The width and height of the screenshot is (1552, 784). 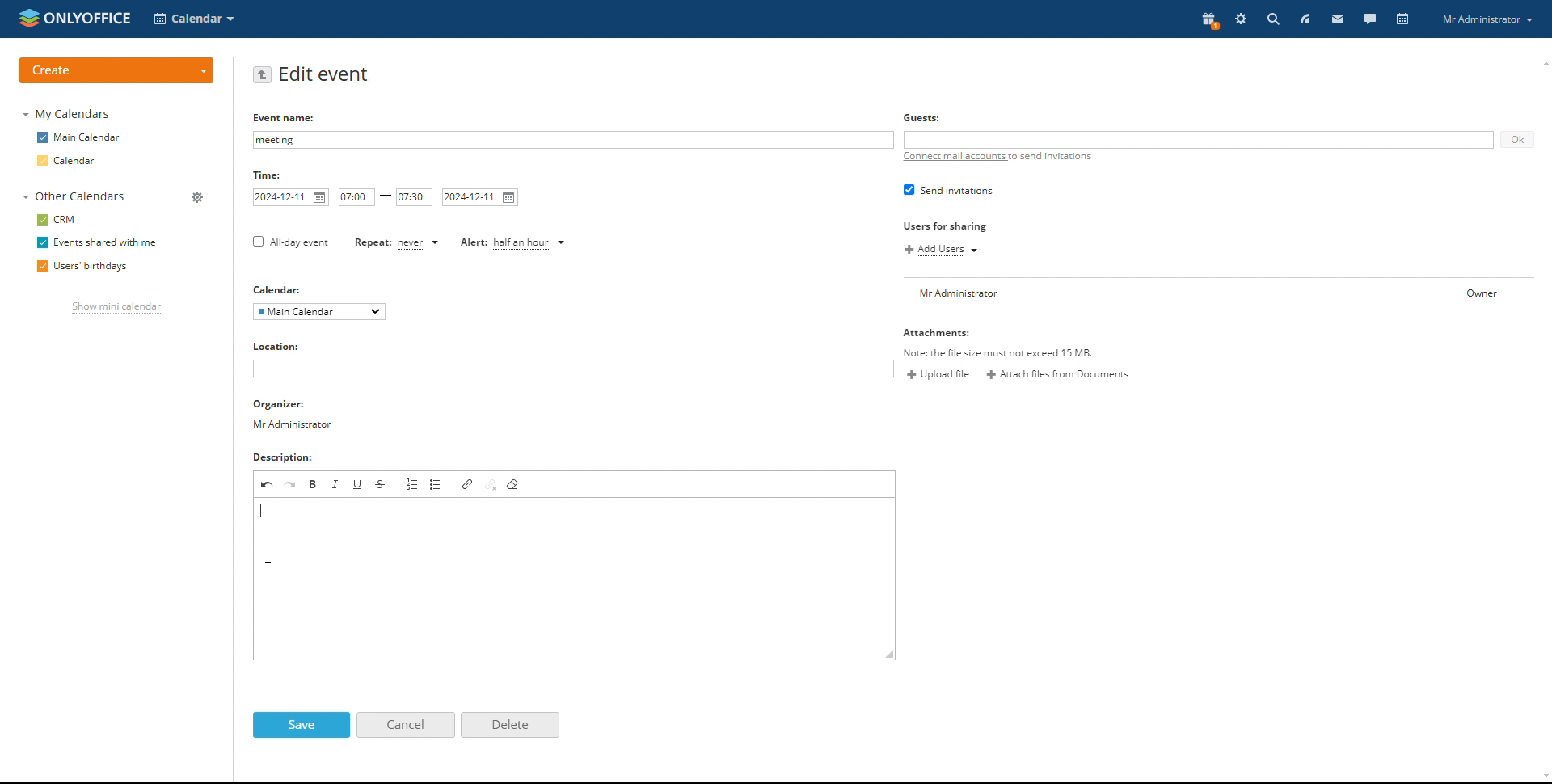 What do you see at coordinates (941, 250) in the screenshot?
I see `add users` at bounding box center [941, 250].